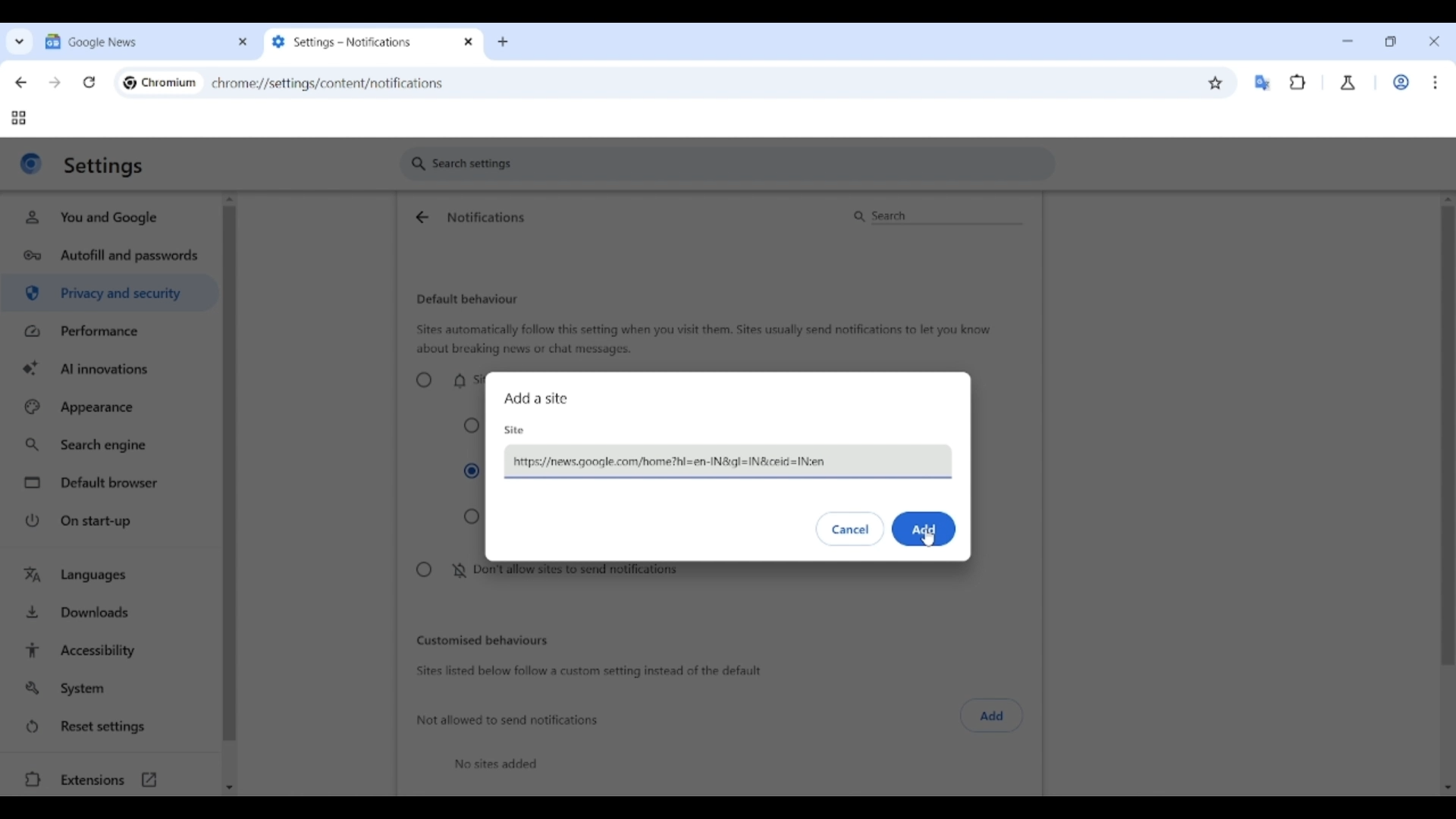 This screenshot has width=1456, height=819. I want to click on Google translator extension, so click(1262, 83).